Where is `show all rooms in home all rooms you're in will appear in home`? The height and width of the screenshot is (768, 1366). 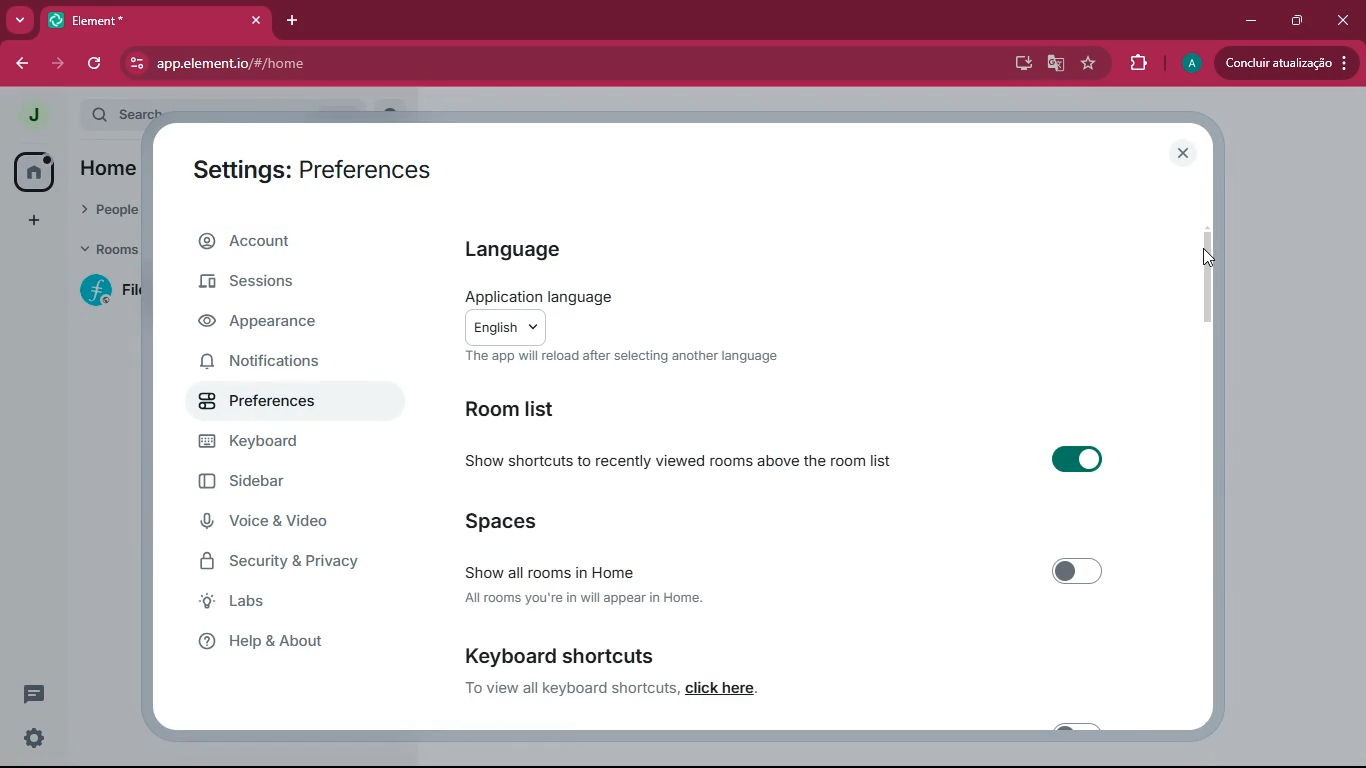 show all rooms in home all rooms you're in will appear in home is located at coordinates (610, 583).